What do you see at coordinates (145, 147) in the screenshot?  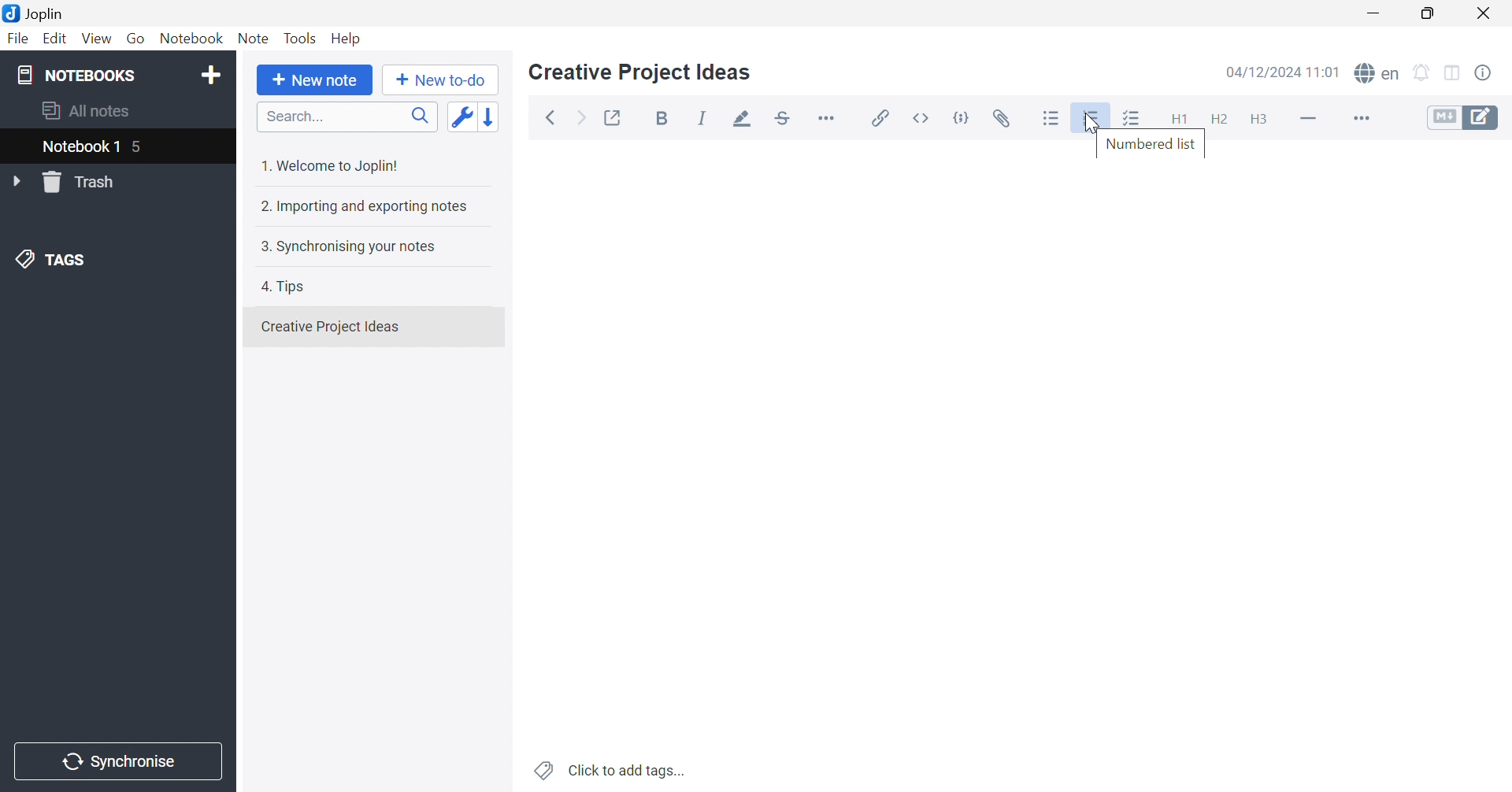 I see `5` at bounding box center [145, 147].